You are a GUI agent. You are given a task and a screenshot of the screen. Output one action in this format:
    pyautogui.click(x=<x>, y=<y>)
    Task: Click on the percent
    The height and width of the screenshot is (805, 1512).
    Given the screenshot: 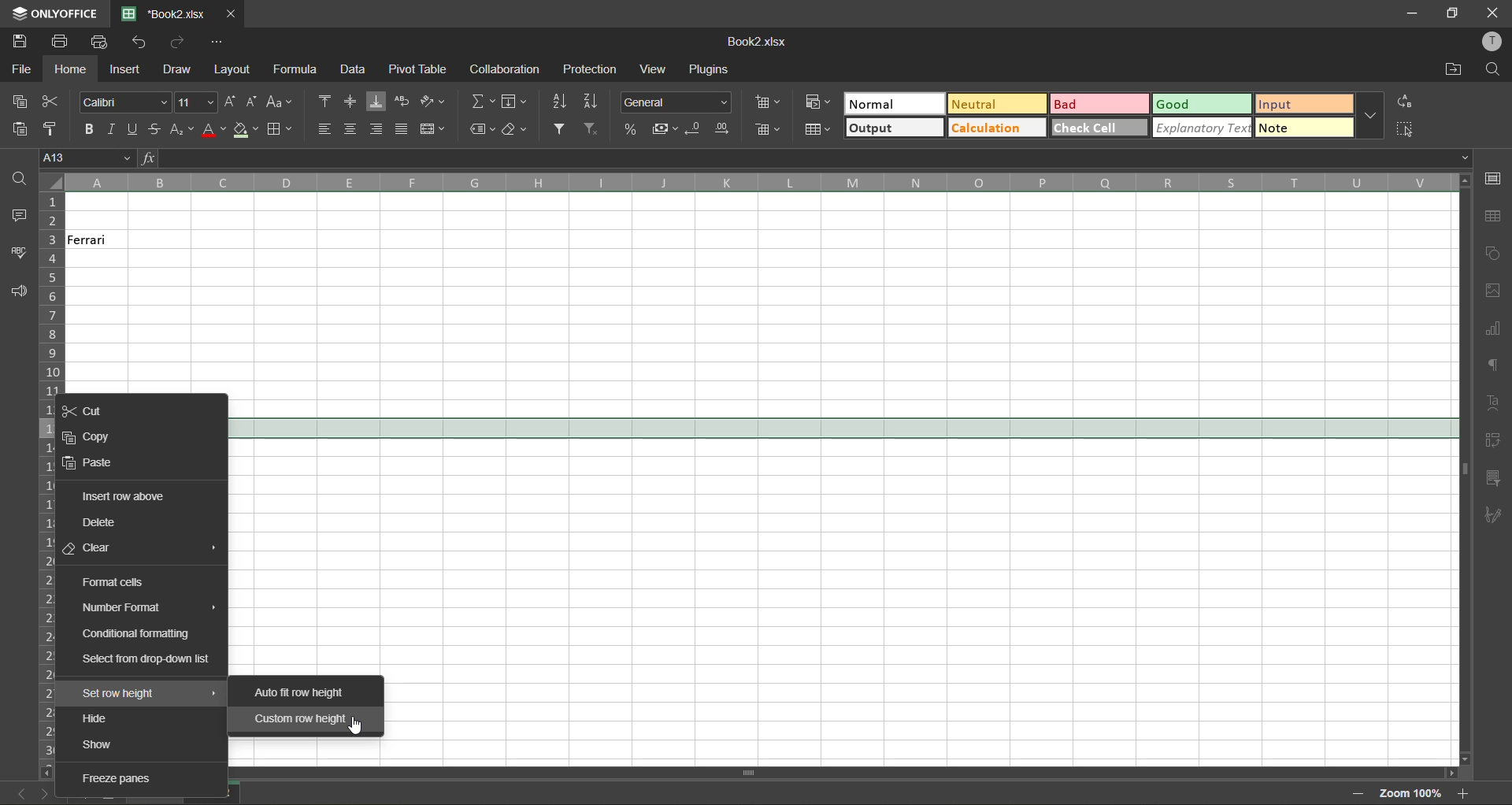 What is the action you would take?
    pyautogui.click(x=632, y=131)
    